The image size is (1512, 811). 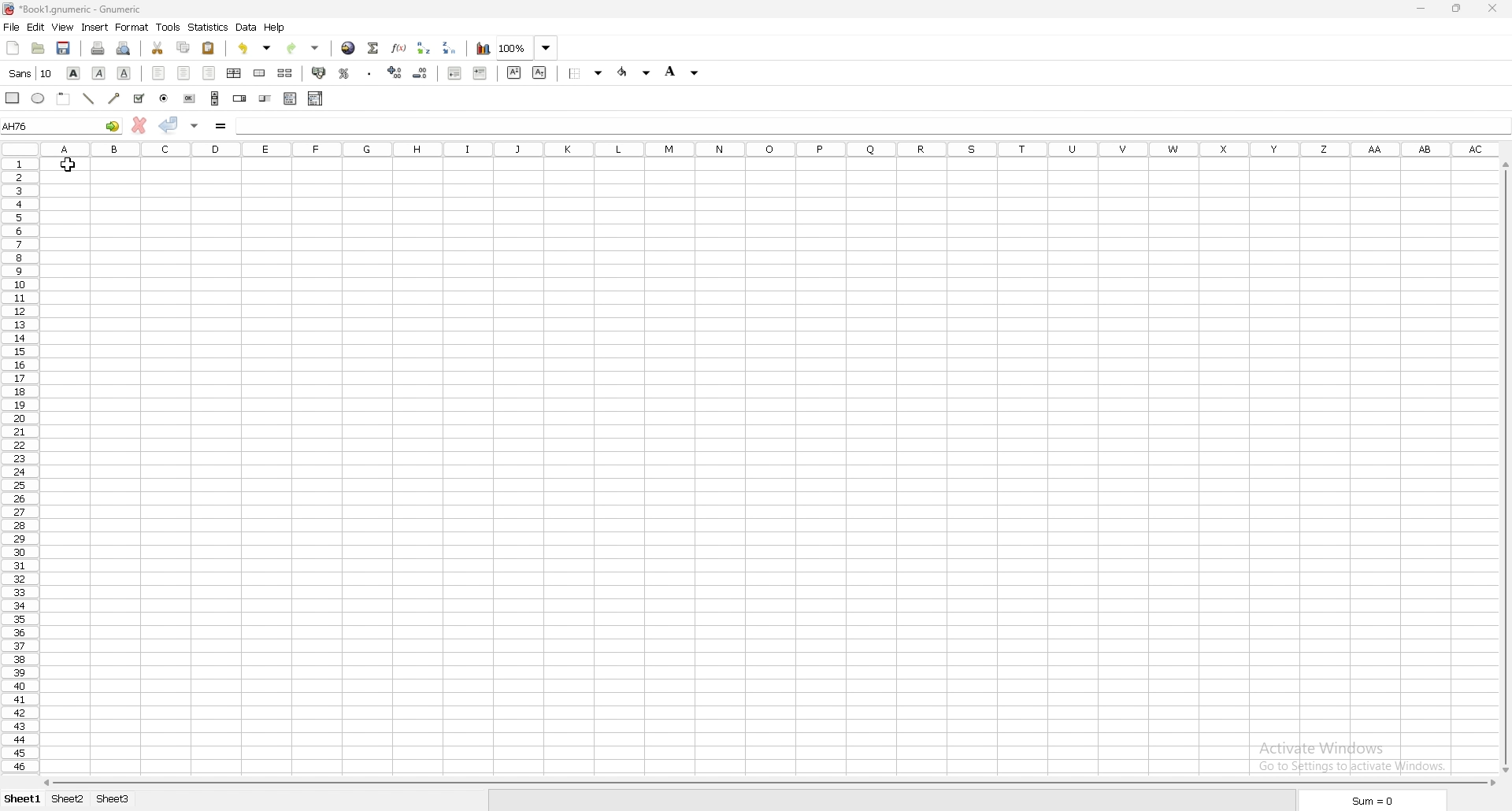 I want to click on foreground, so click(x=681, y=72).